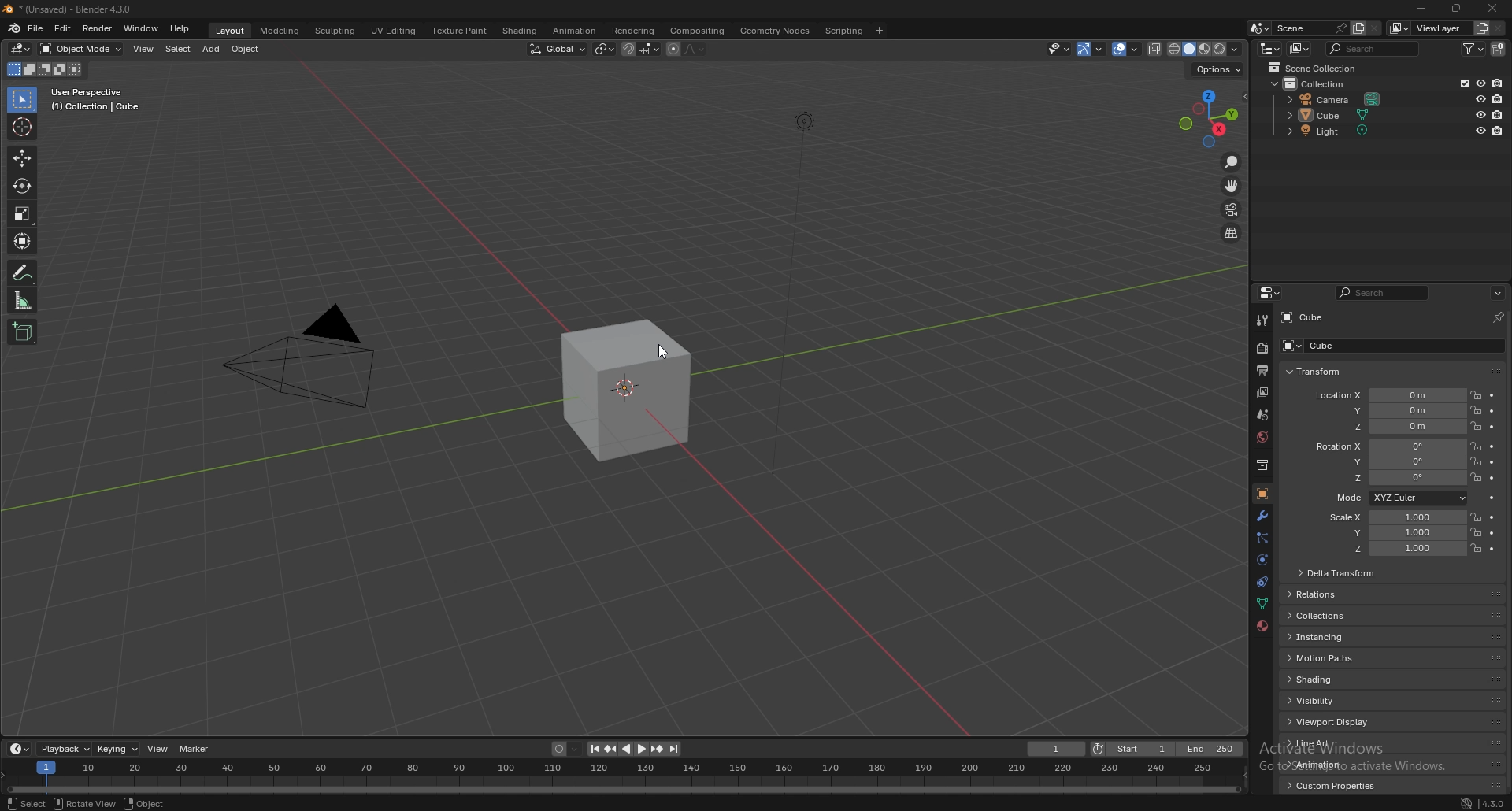  What do you see at coordinates (98, 28) in the screenshot?
I see `render` at bounding box center [98, 28].